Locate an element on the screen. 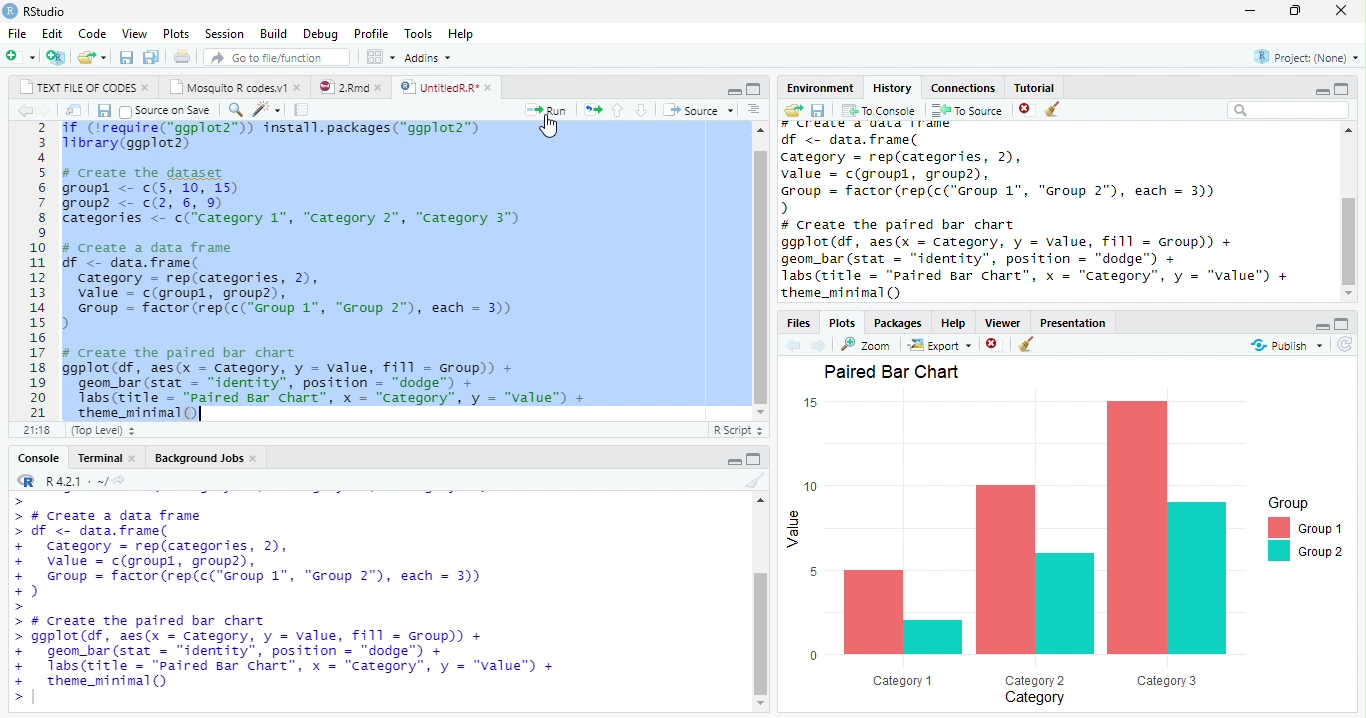 The image size is (1366, 718). go forward is located at coordinates (42, 111).